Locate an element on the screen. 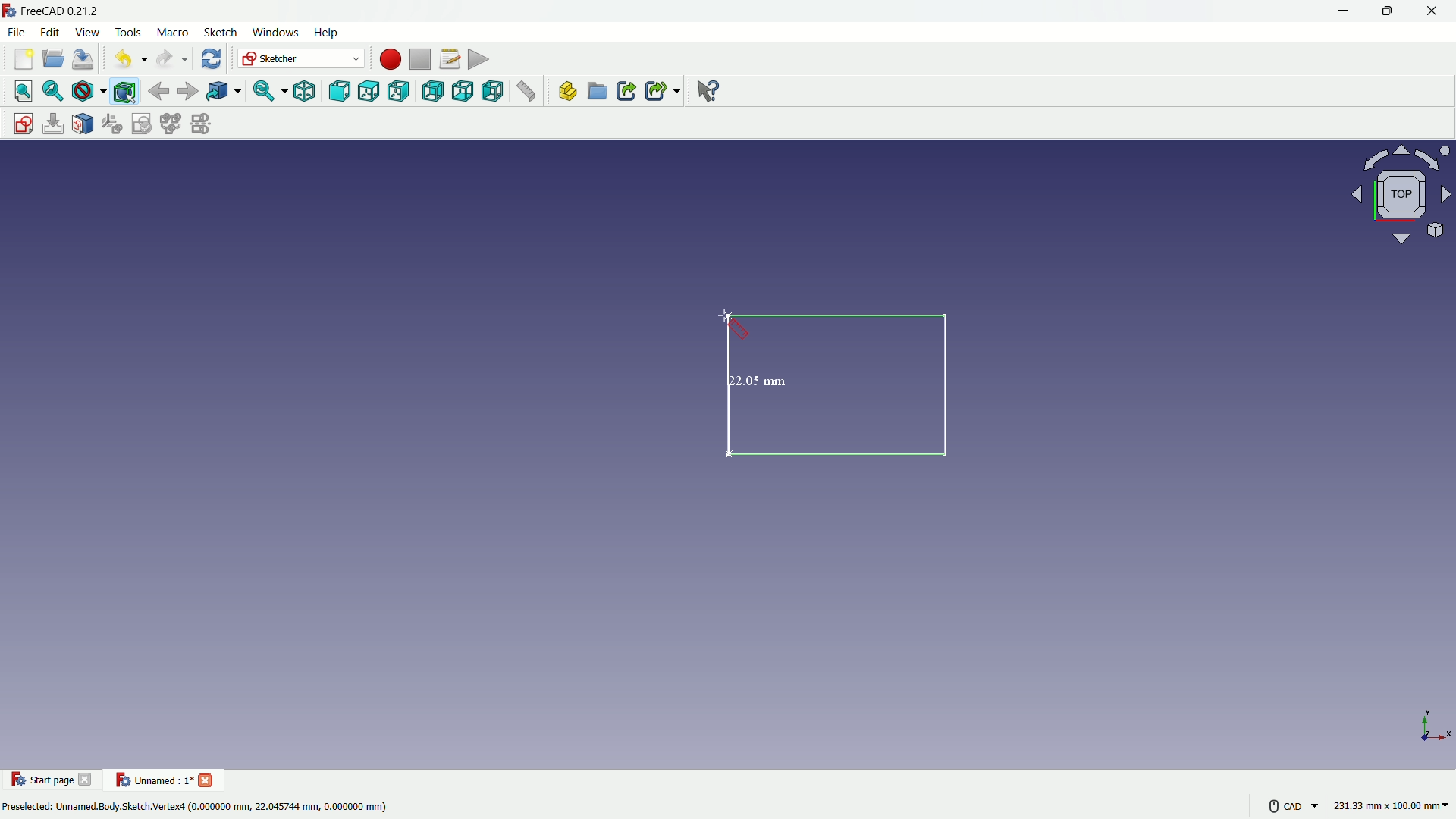  stop macros is located at coordinates (418, 60).